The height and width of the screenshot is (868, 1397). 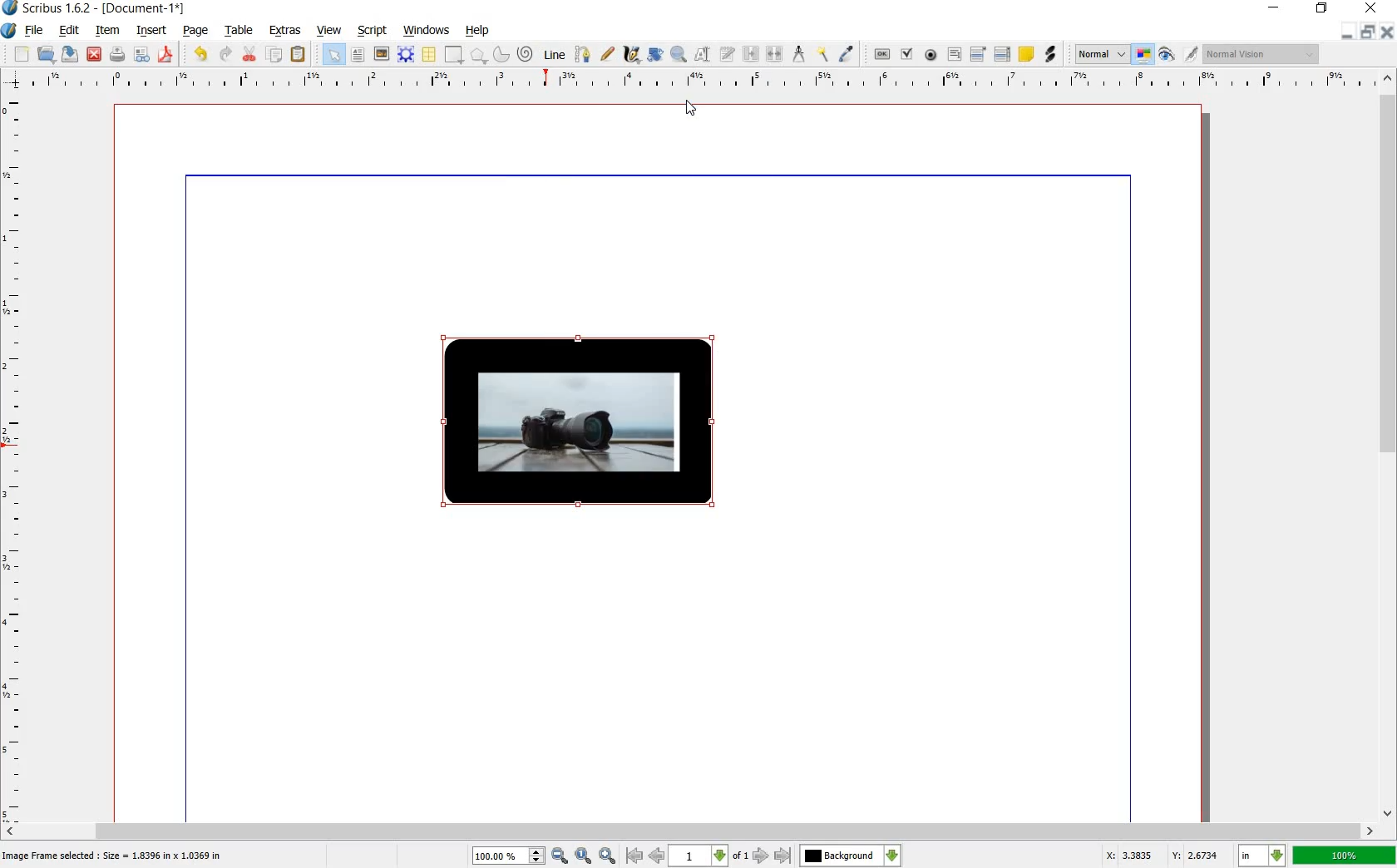 What do you see at coordinates (95, 53) in the screenshot?
I see `close` at bounding box center [95, 53].